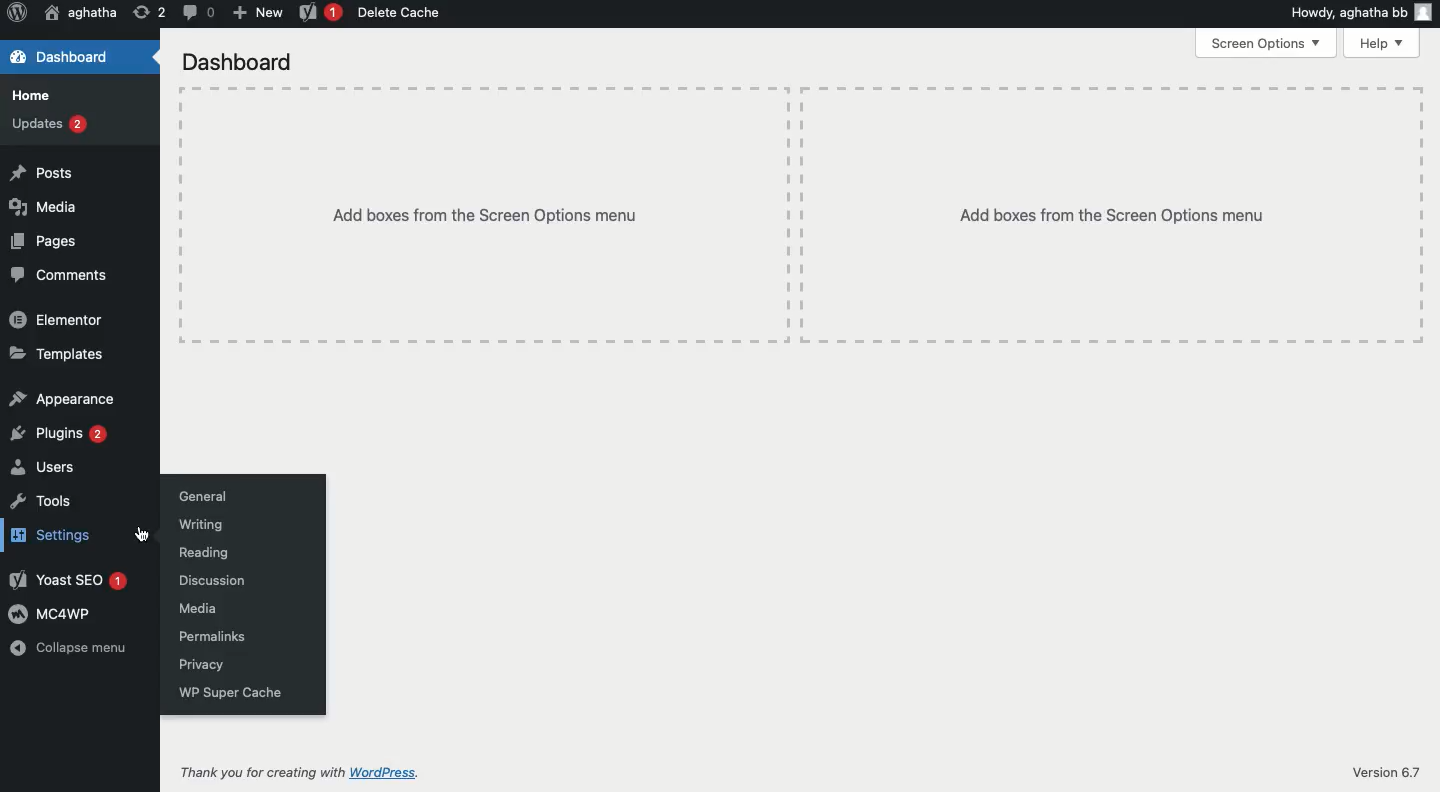  I want to click on Screen options, so click(1266, 45).